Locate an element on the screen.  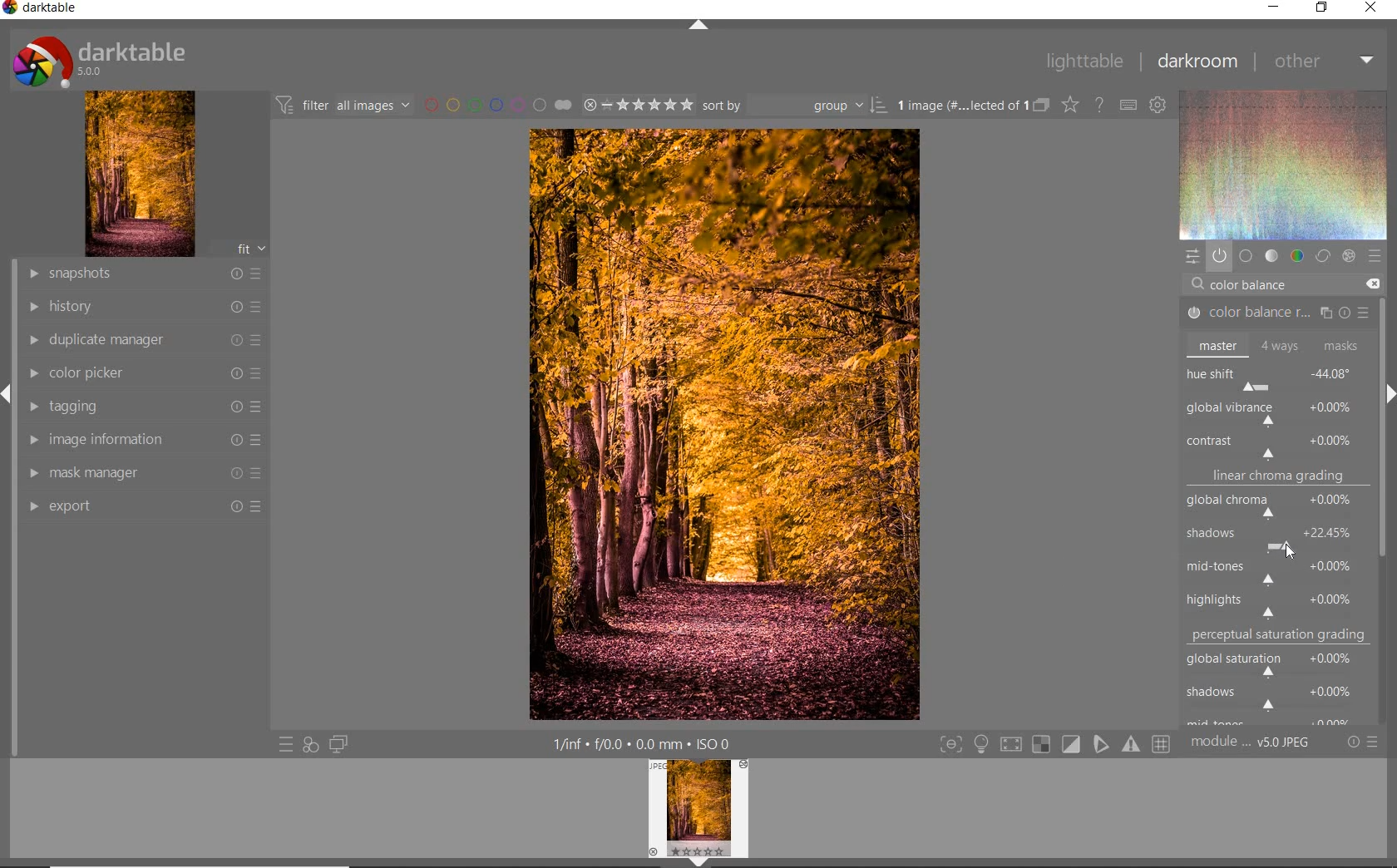
module order is located at coordinates (1250, 744).